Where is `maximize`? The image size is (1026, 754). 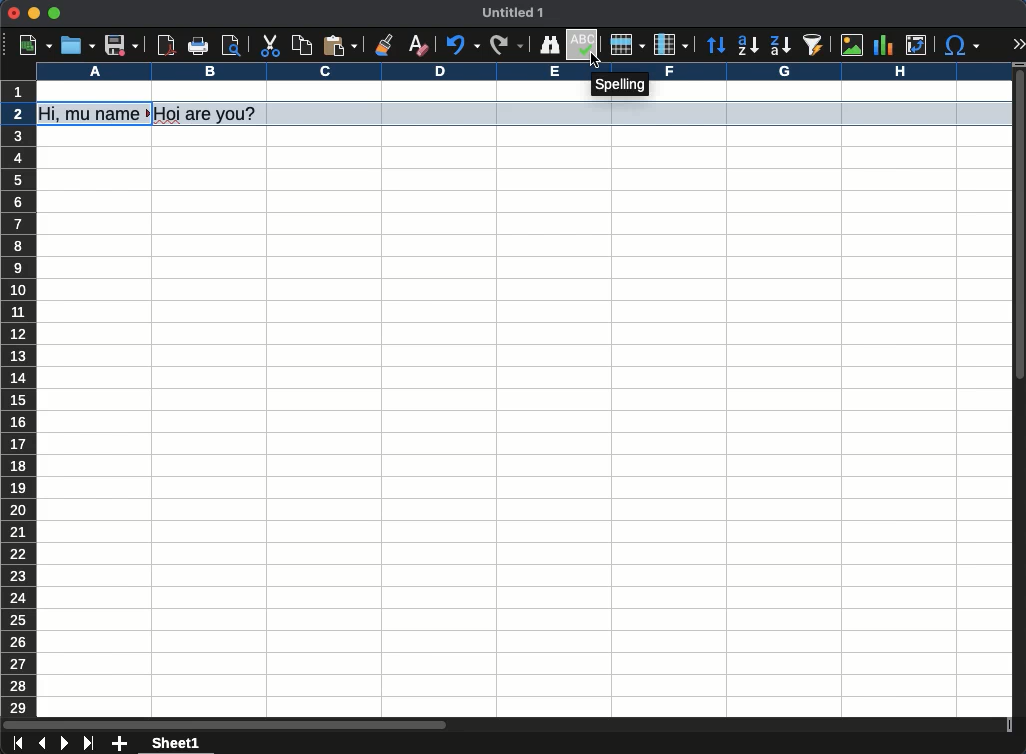 maximize is located at coordinates (54, 12).